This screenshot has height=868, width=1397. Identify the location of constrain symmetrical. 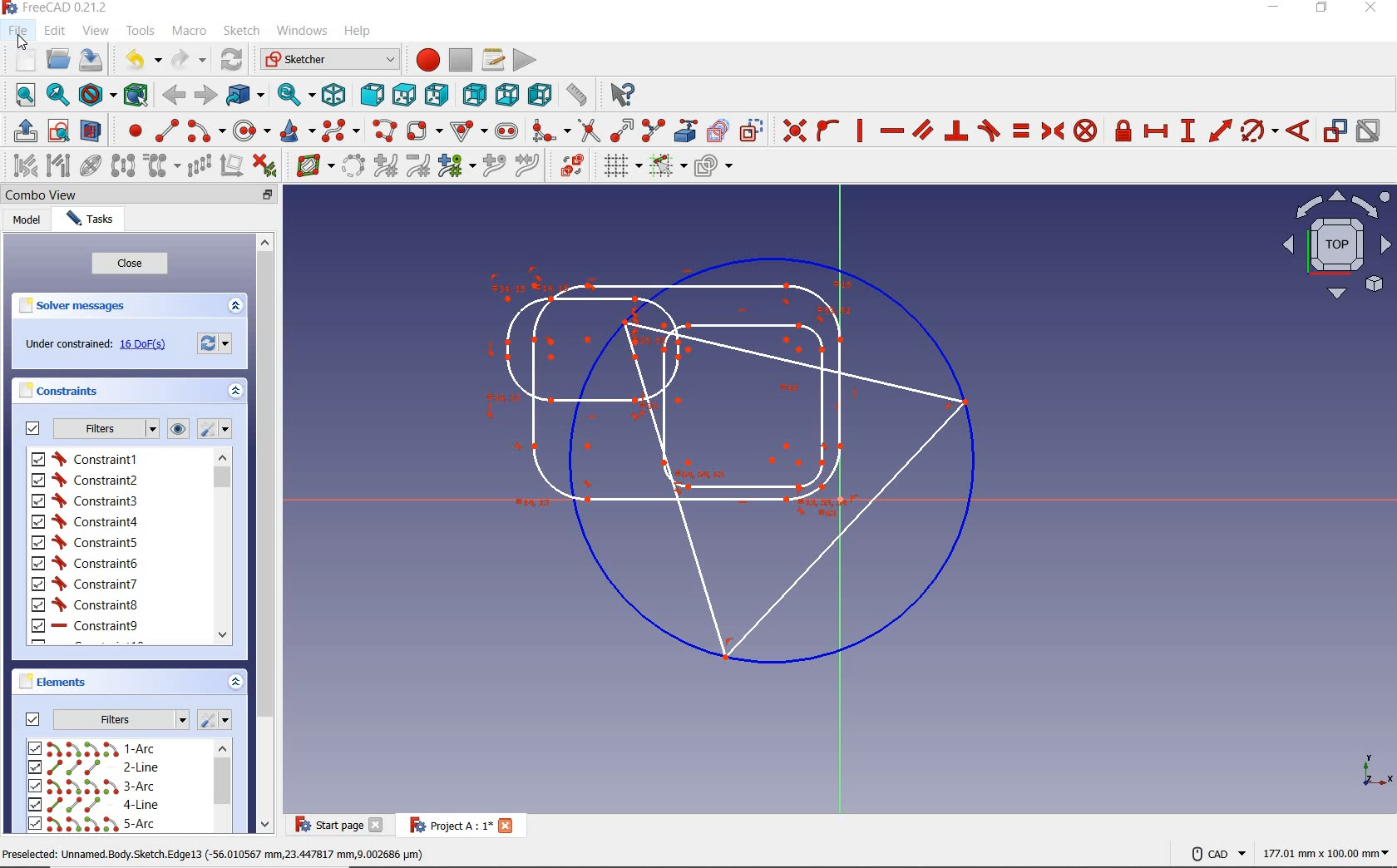
(1052, 131).